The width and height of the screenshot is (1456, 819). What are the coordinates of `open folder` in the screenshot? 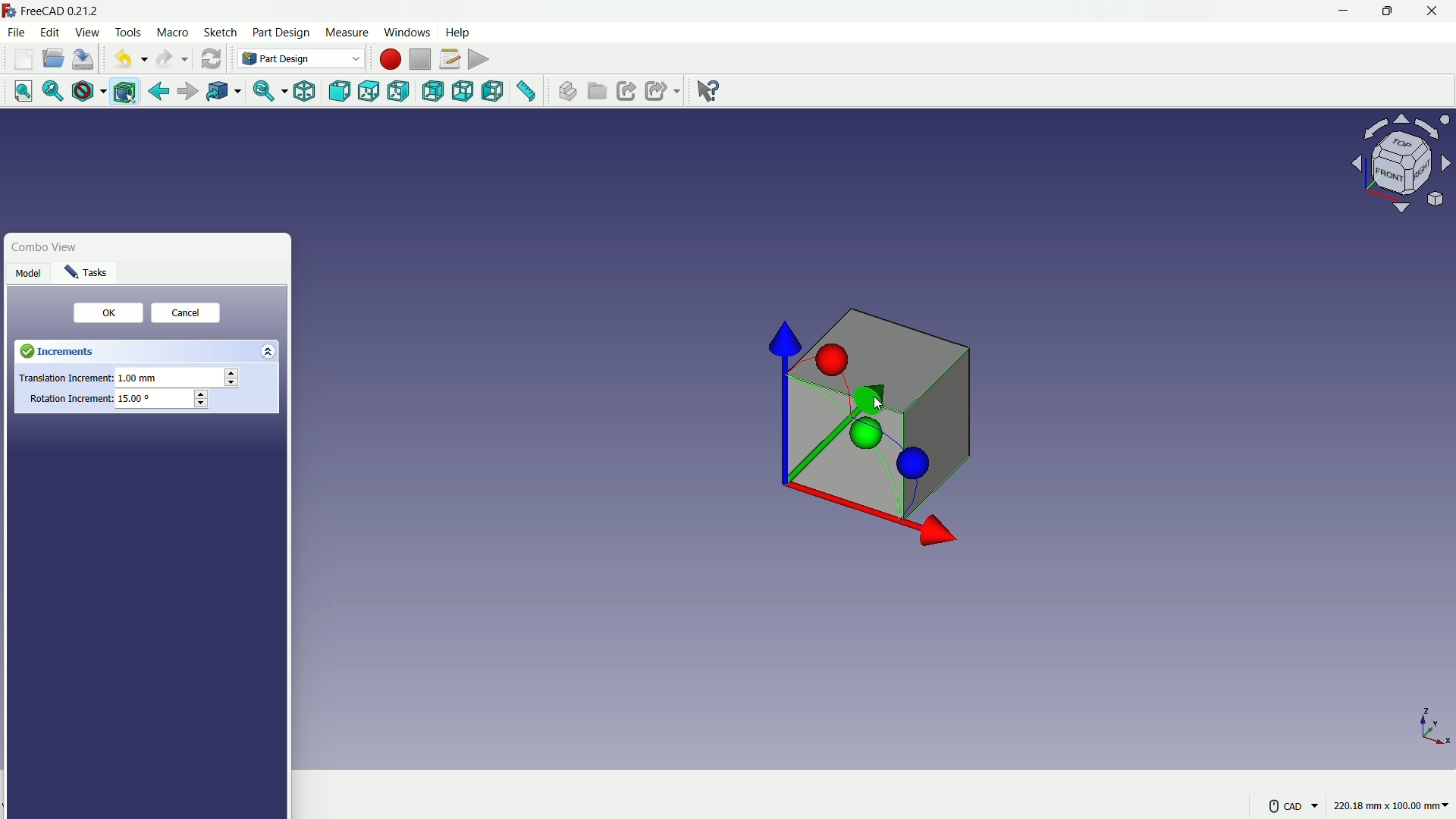 It's located at (53, 59).